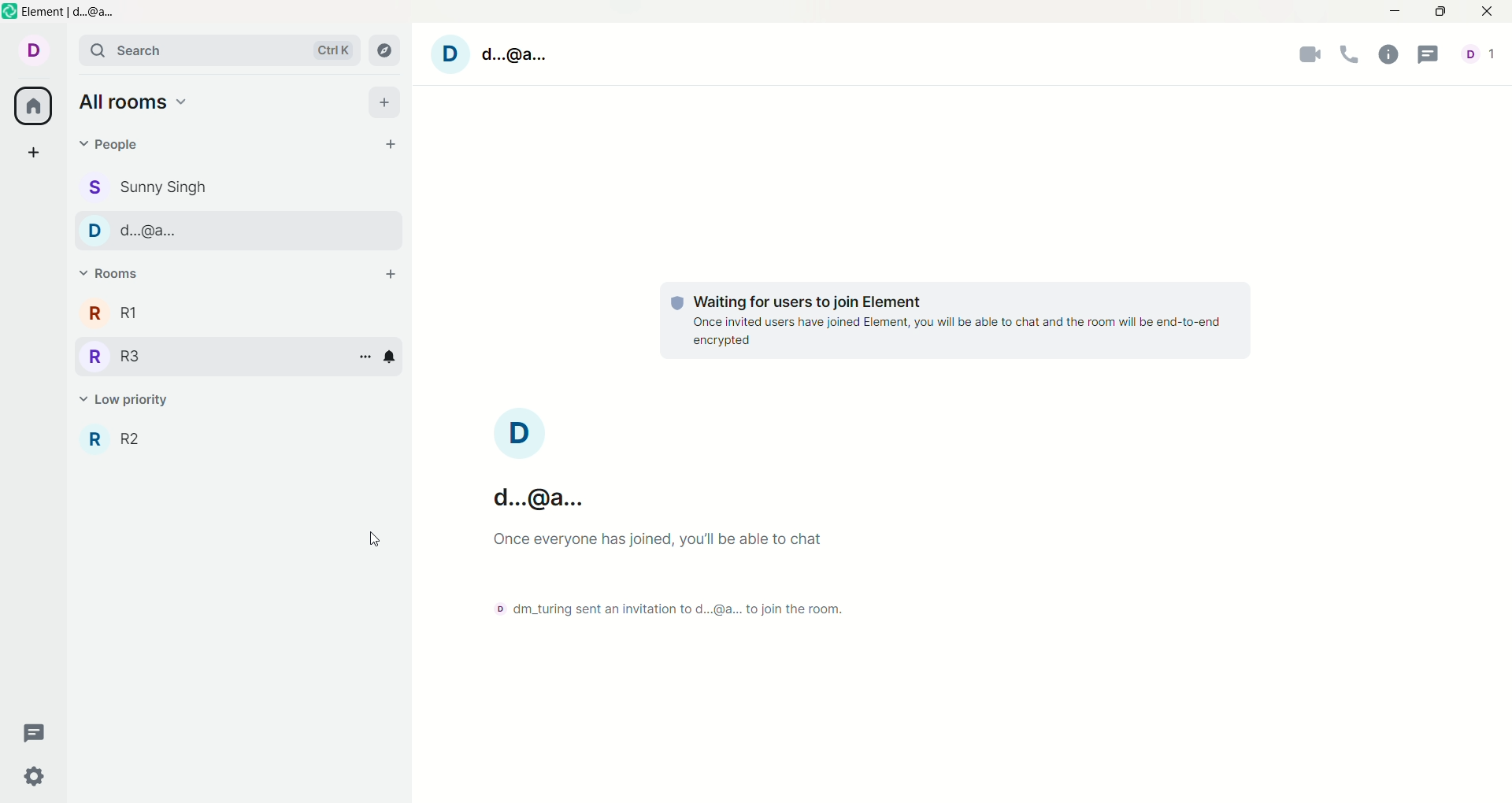 The width and height of the screenshot is (1512, 803). What do you see at coordinates (1442, 13) in the screenshot?
I see `maximize` at bounding box center [1442, 13].